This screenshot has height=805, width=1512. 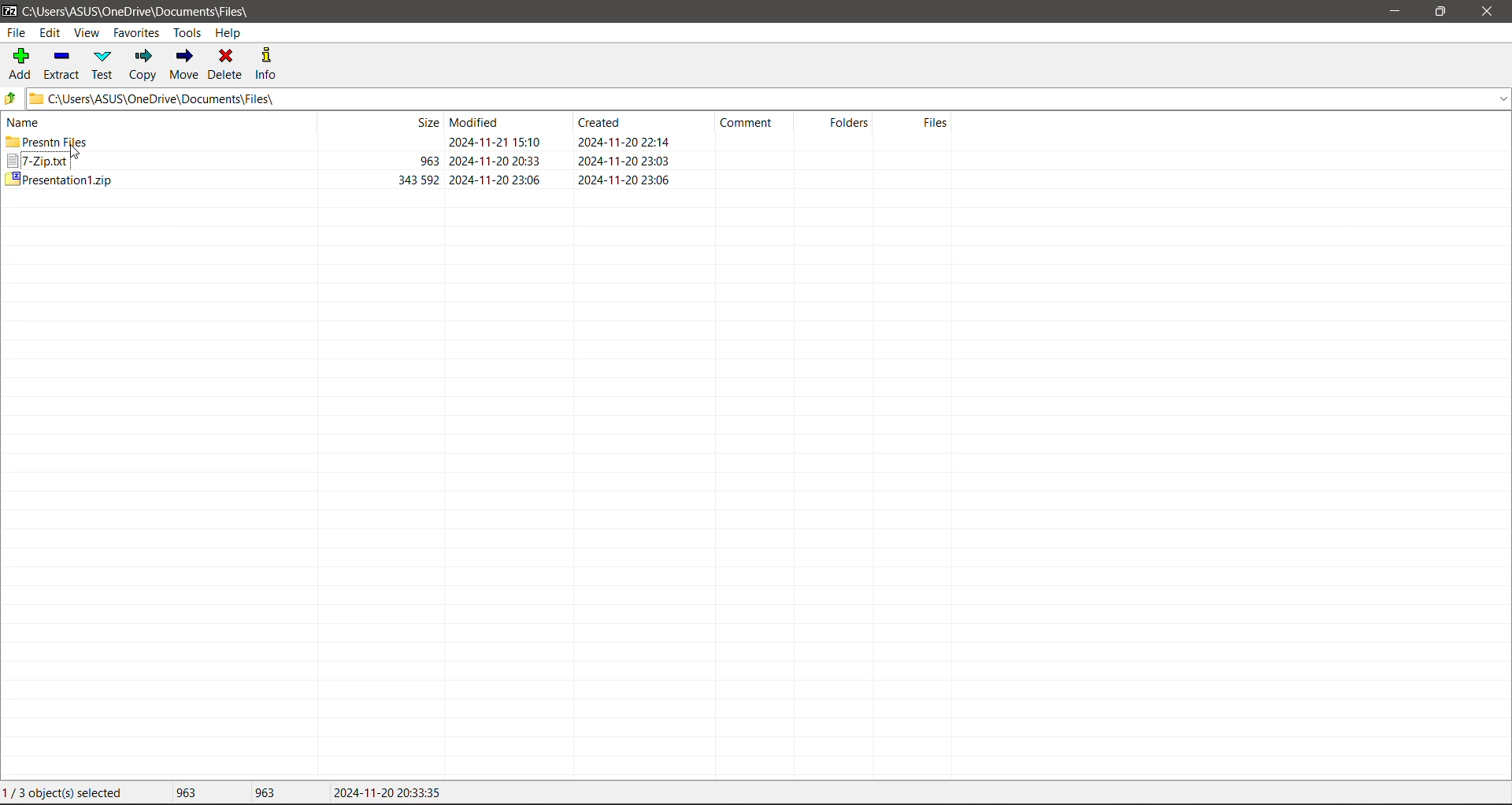 I want to click on Size of the last file selected, so click(x=265, y=792).